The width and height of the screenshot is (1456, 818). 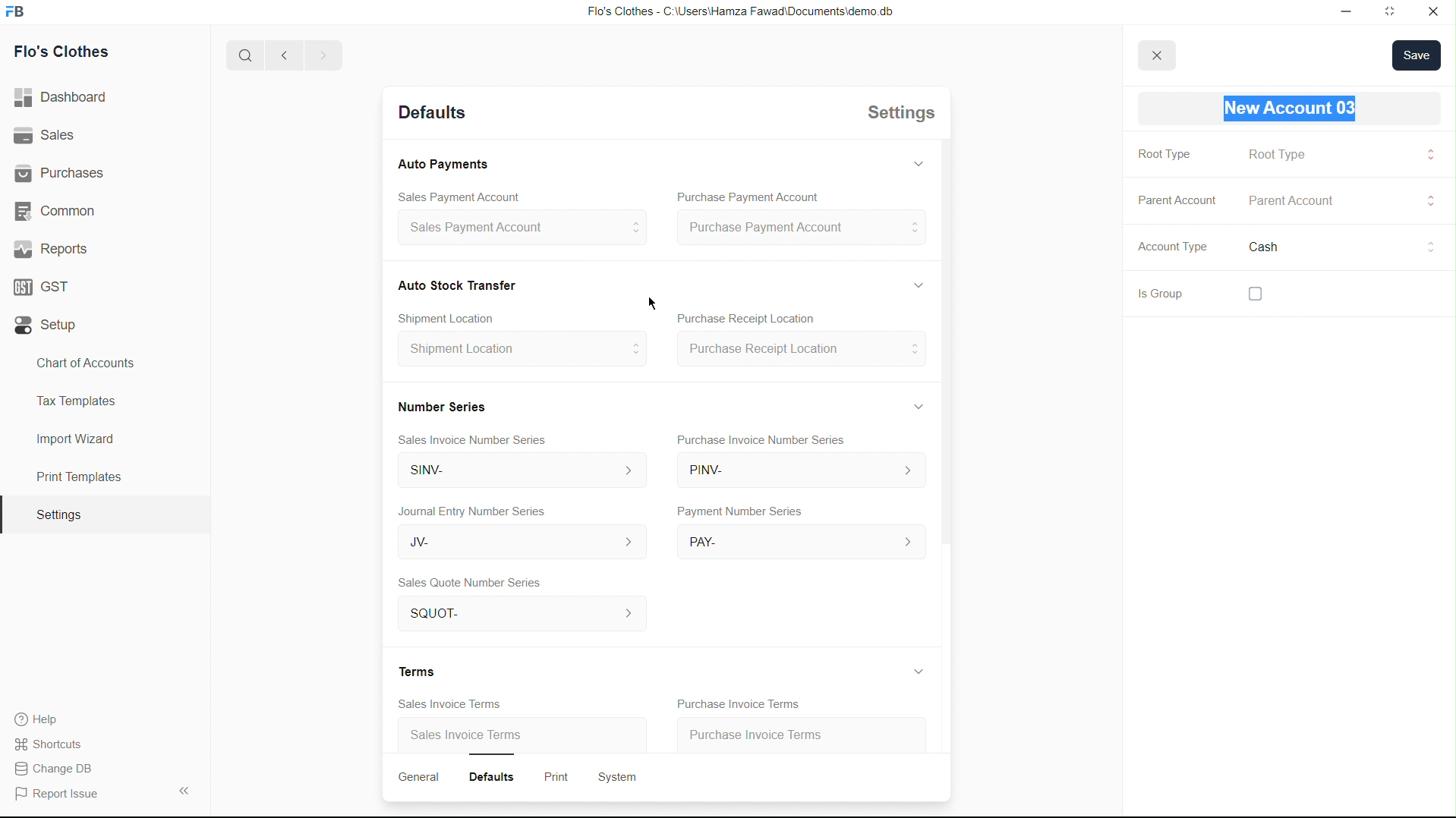 What do you see at coordinates (1417, 55) in the screenshot?
I see `save` at bounding box center [1417, 55].